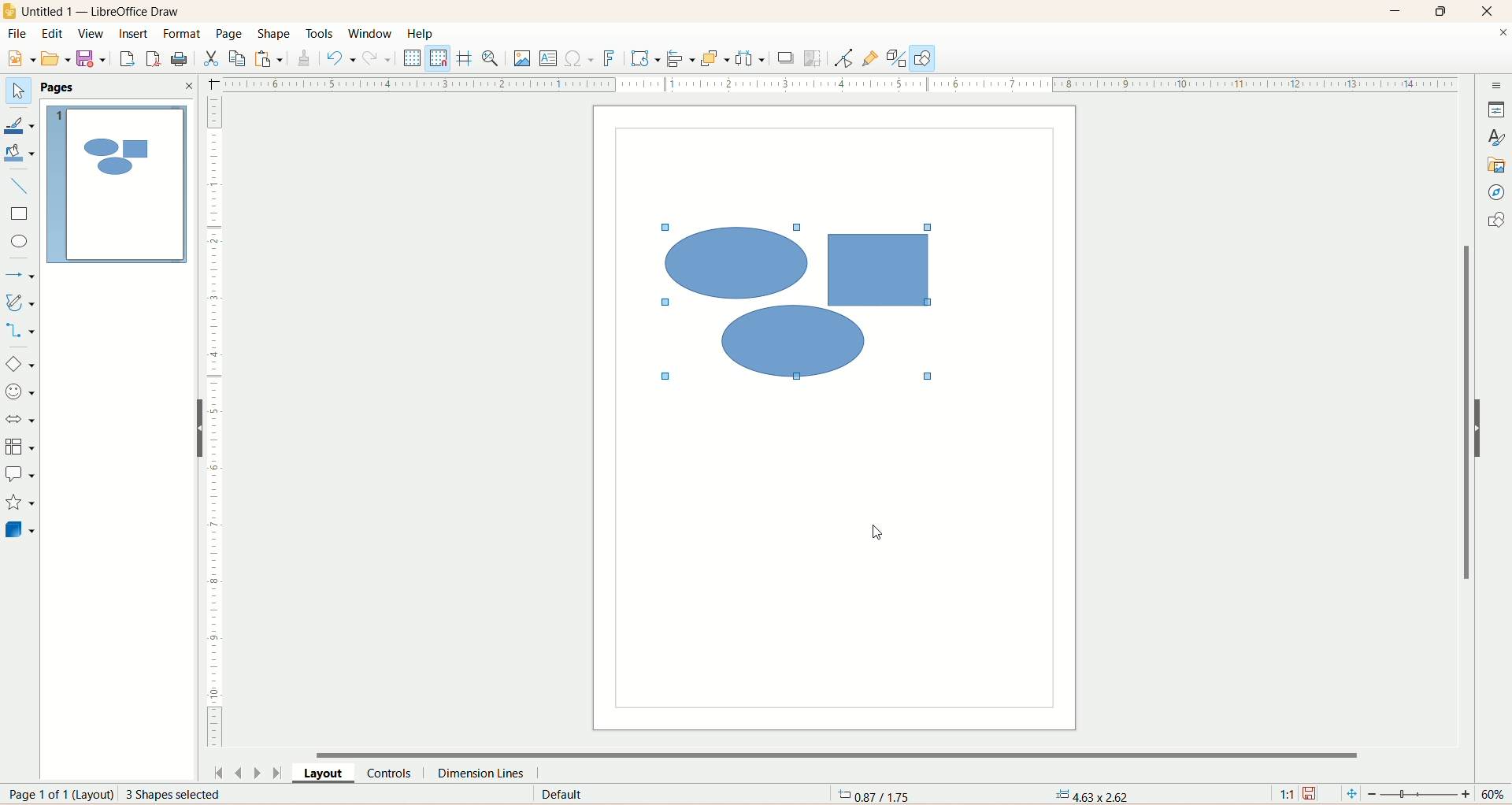  I want to click on export, so click(125, 59).